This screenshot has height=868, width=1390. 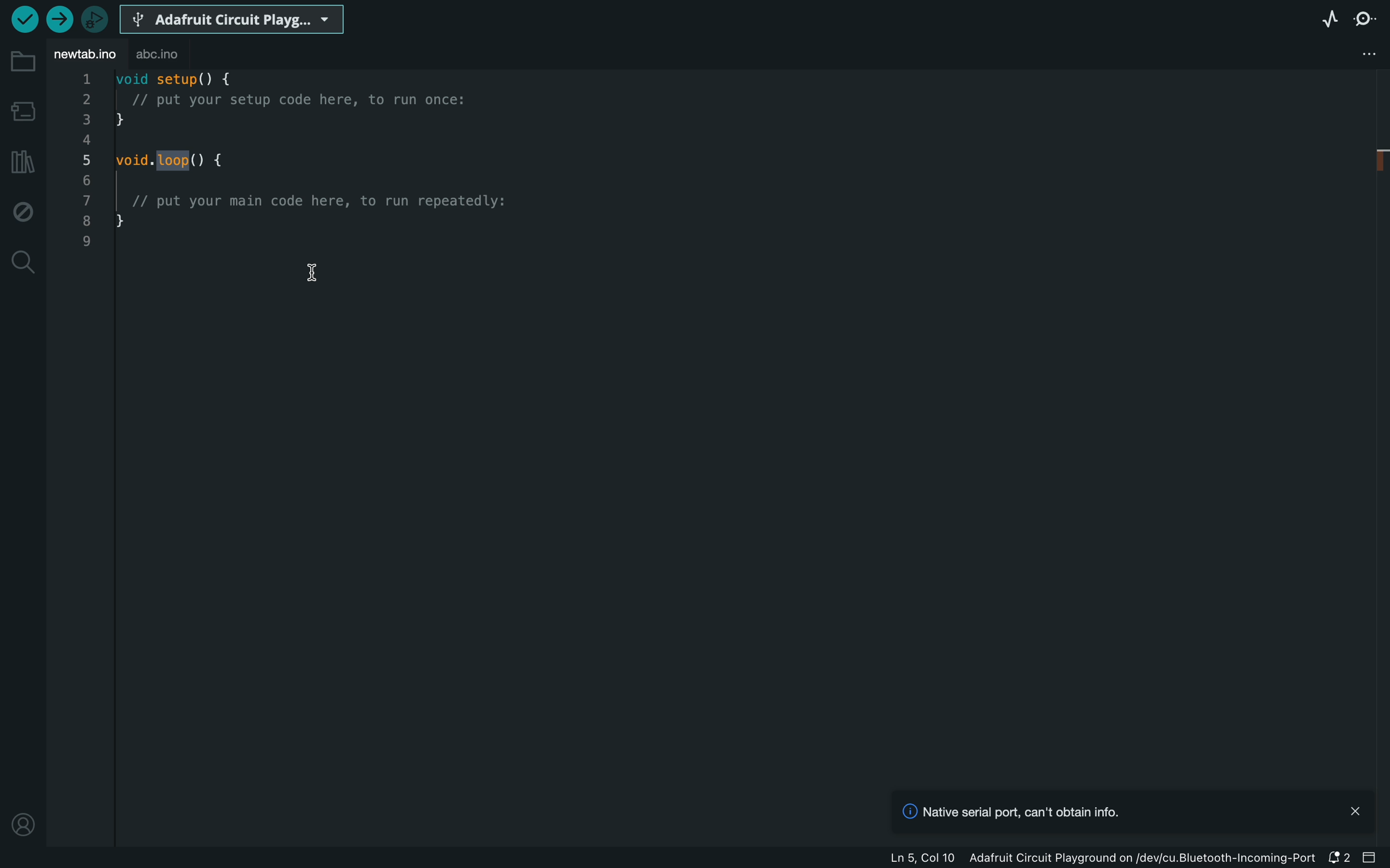 I want to click on debug, so click(x=21, y=211).